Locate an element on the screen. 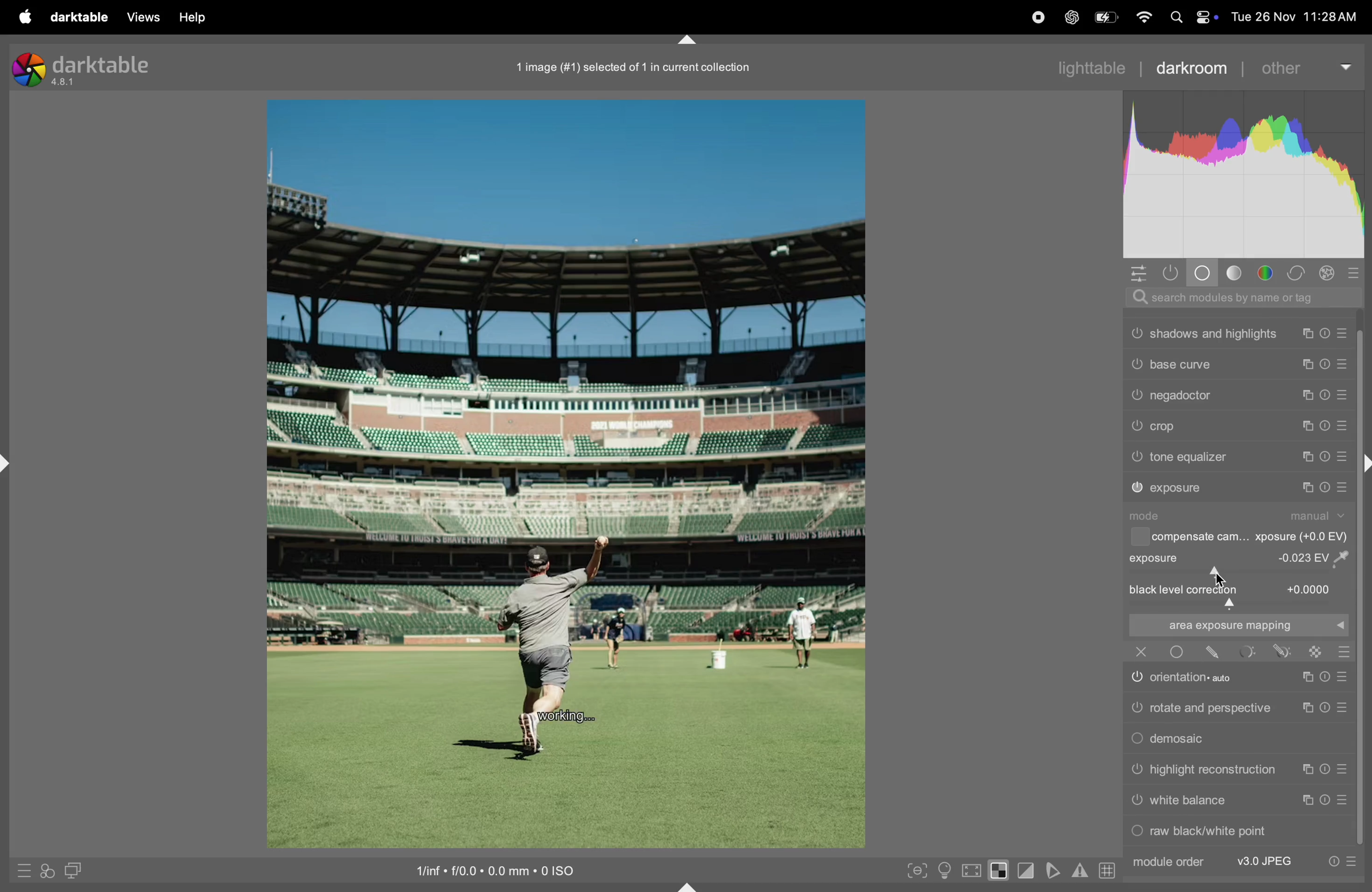 The width and height of the screenshot is (1372, 892). tool is located at coordinates (1249, 651).